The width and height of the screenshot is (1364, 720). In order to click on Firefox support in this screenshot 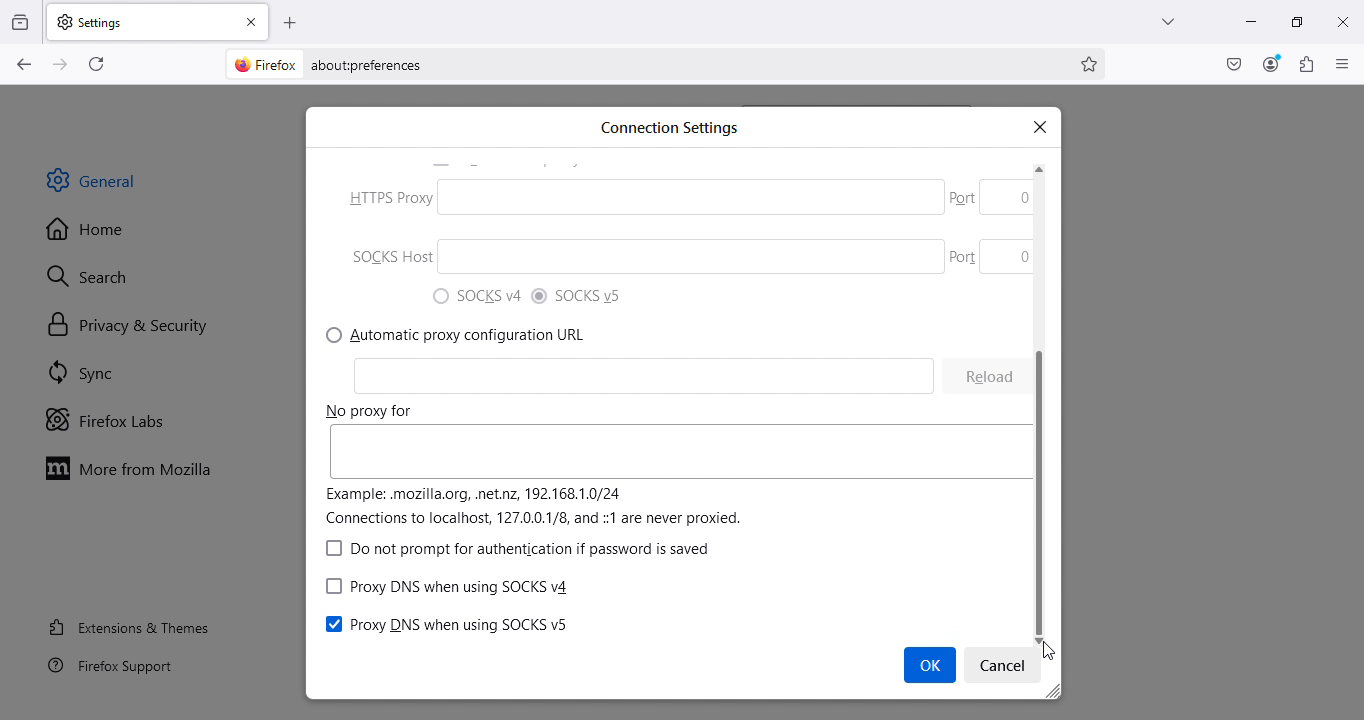, I will do `click(113, 670)`.